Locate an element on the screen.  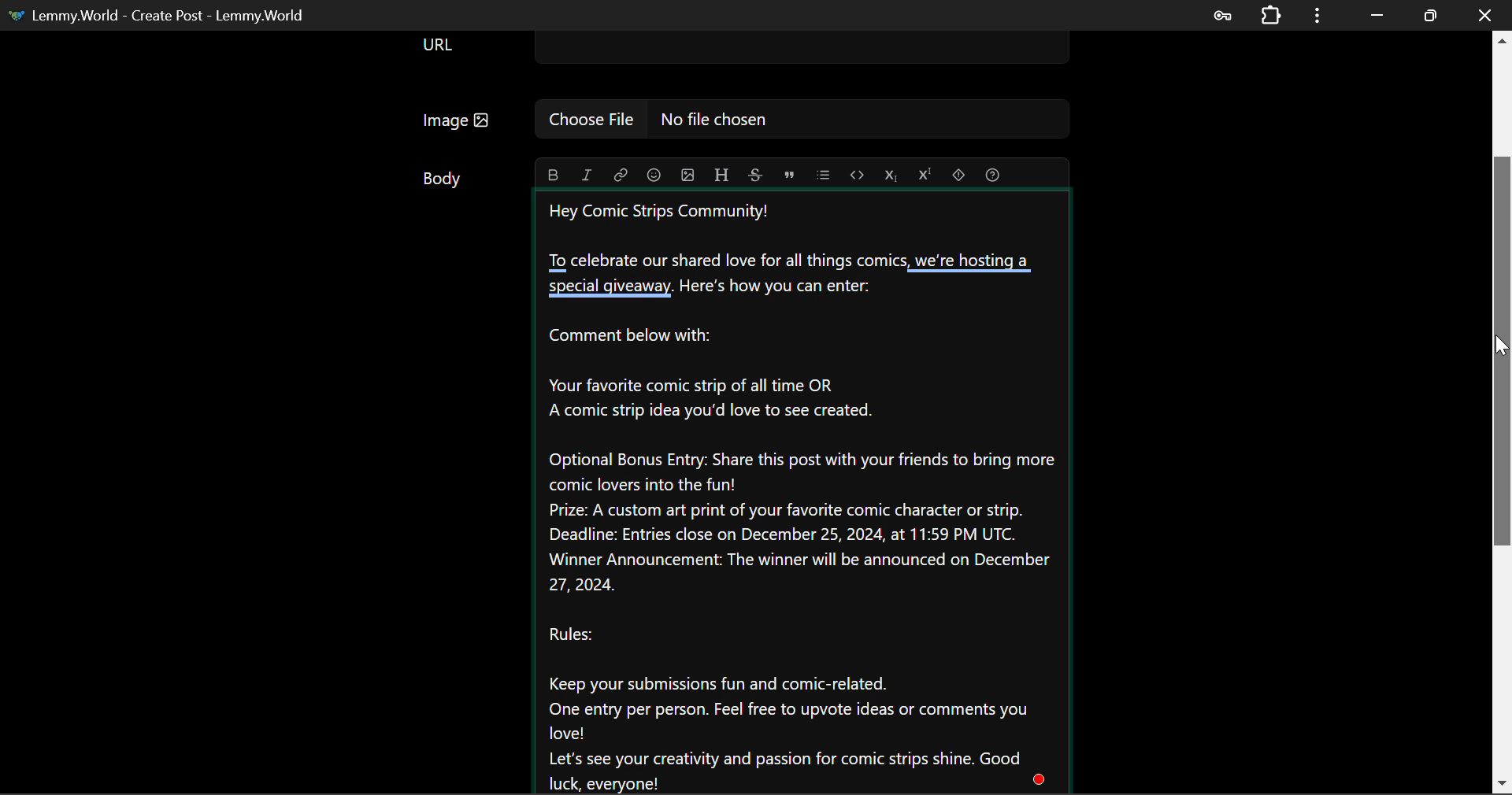
Hey Comic Strips Community!To celebrate our shared love for all things comics, we're hosting a special giveaway. Here's how you can enter: Comment below with: Your favorite comic strip of all time ORA comic strip idea you'd love to see created. Optional Bonus Entry: Share this post with your friends to bring morecomic lovers into the fun! Prize: A custom art print of your favorite comic character or strip. Deadline: Entries close on December 25, 2024, at 11:59 PM UTC. Winner Announcement: The winner will be announced on December 27, 2024. Rules:Keep your submissions fun and comic-related. One entry per person. Feel free to upvote ideas or comments youlove! Let's see your creativity and passion for comic strips shine. Goodluck, everyone! is located at coordinates (804, 494).